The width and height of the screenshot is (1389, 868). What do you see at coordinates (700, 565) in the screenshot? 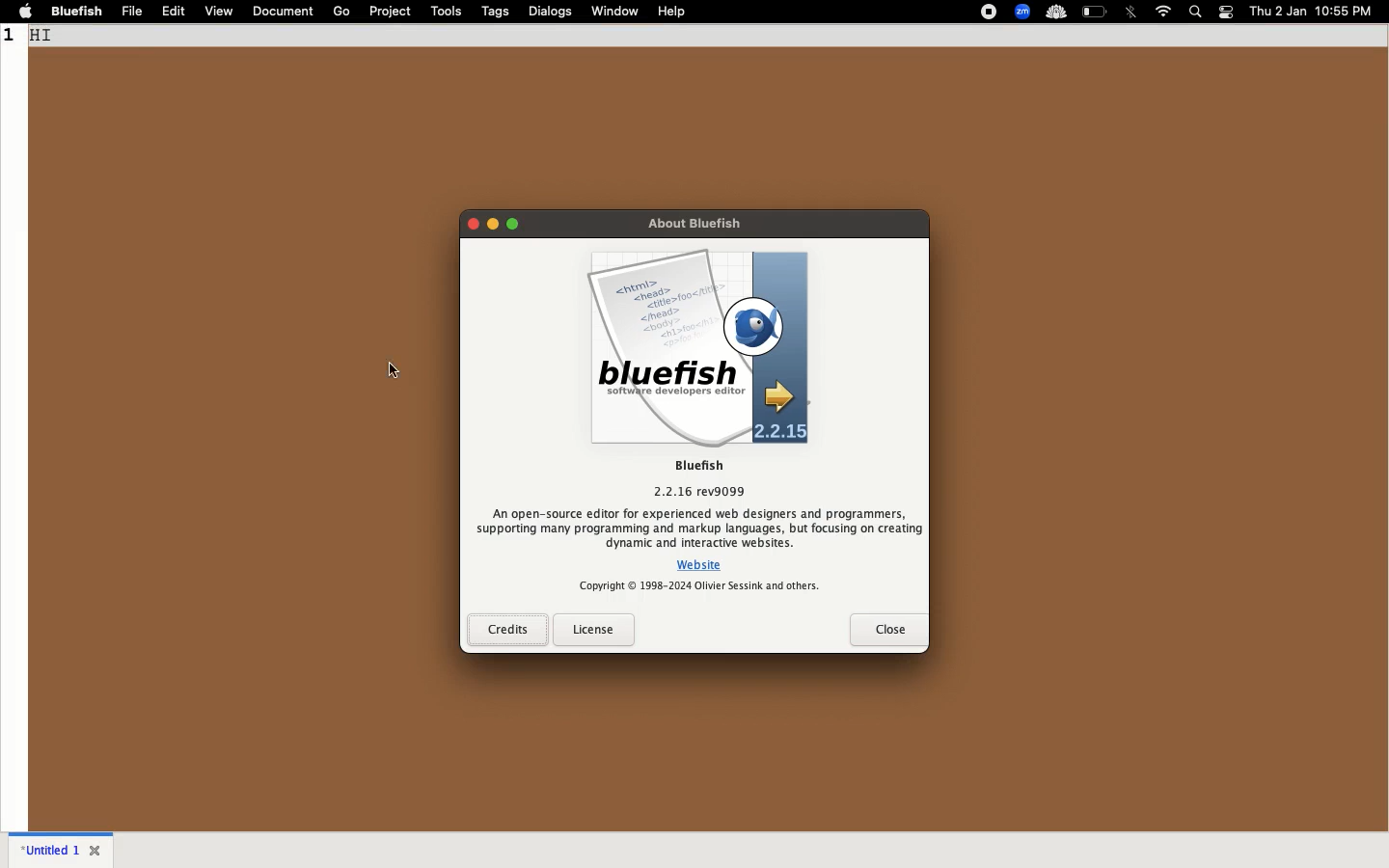
I see `link` at bounding box center [700, 565].